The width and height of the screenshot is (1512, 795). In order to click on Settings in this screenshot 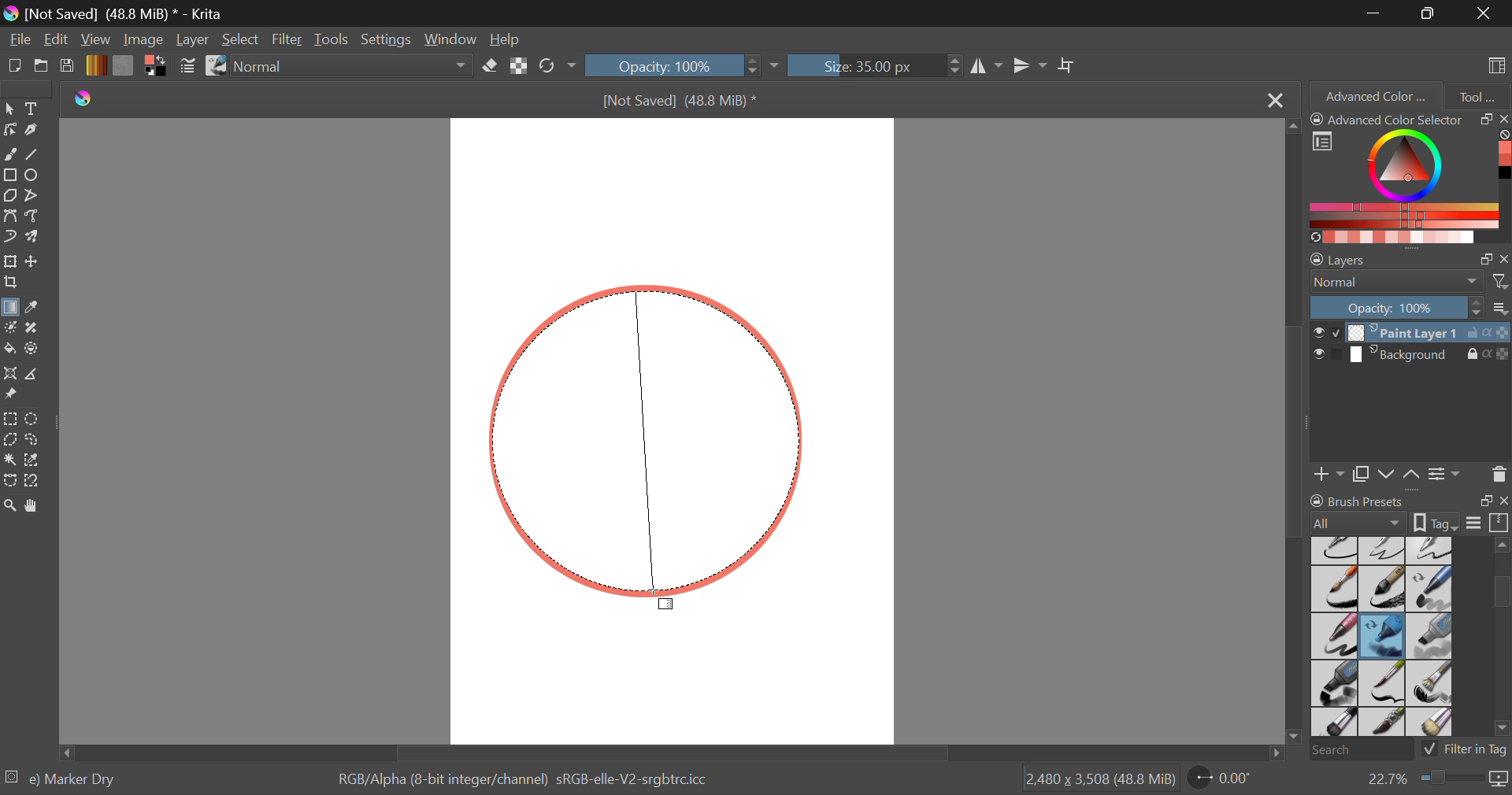, I will do `click(1444, 473)`.